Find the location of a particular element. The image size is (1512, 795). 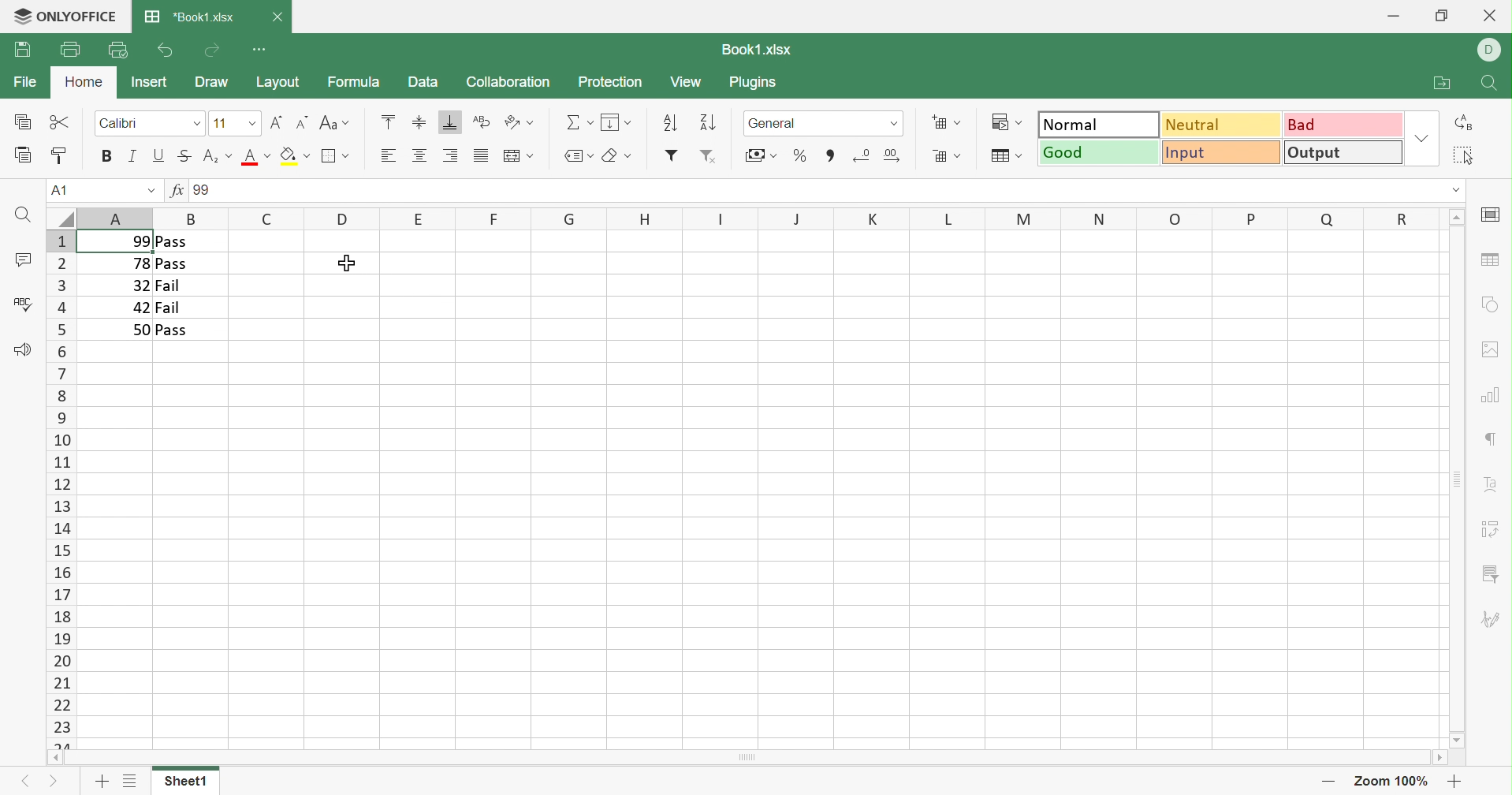

A1 is located at coordinates (66, 190).